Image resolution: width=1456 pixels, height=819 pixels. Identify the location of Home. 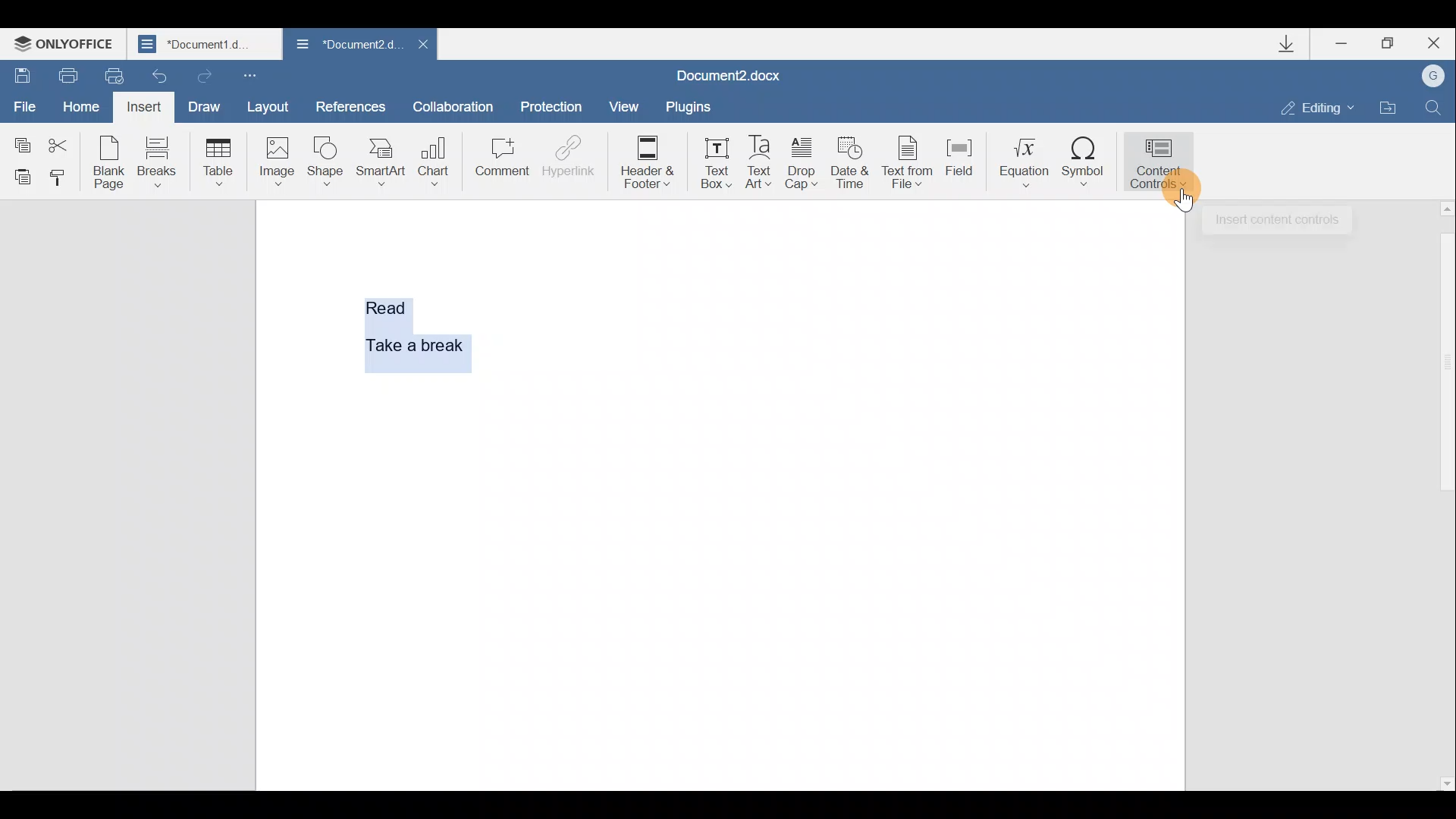
(78, 103).